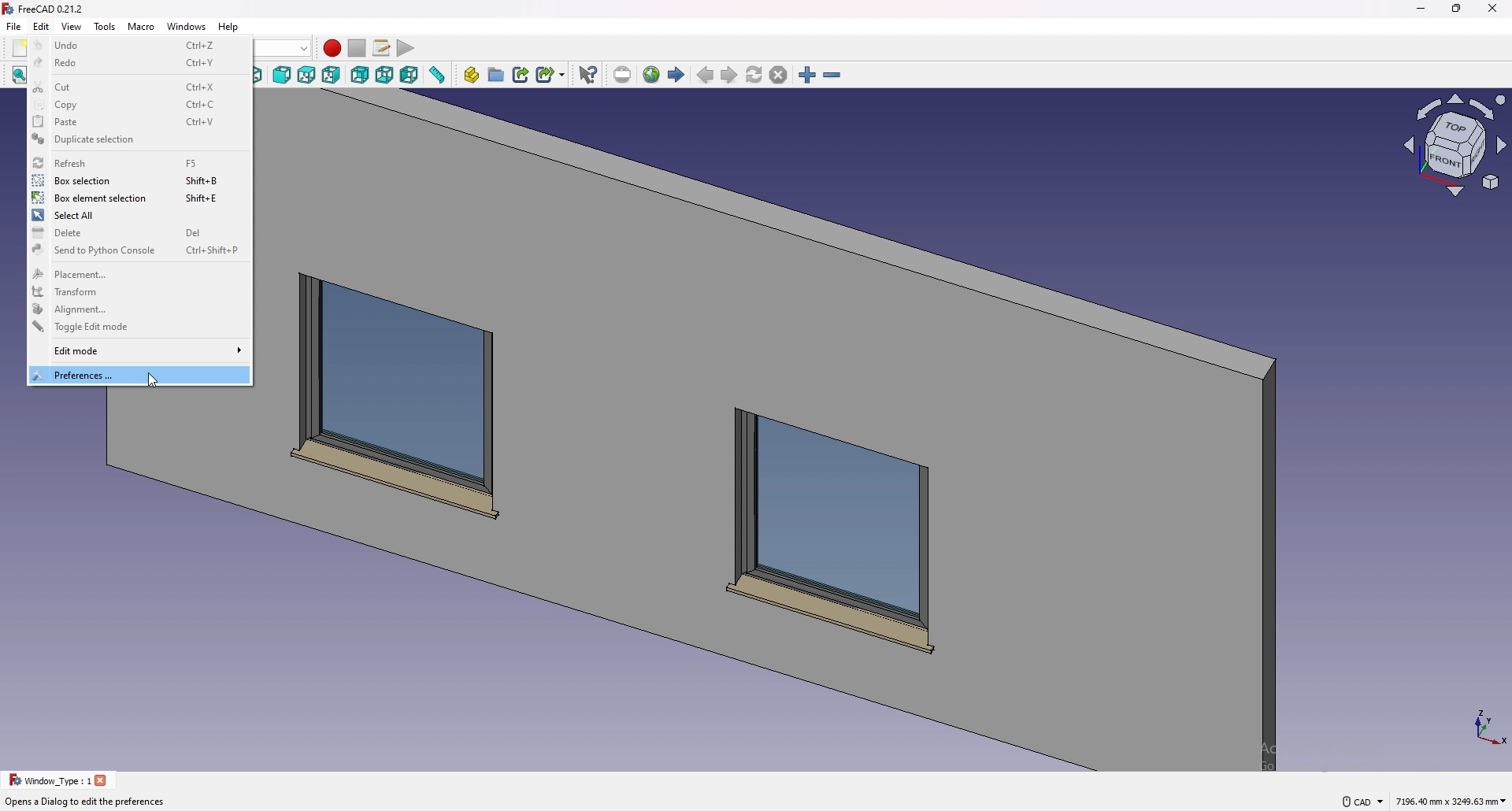  What do you see at coordinates (729, 76) in the screenshot?
I see `next page` at bounding box center [729, 76].